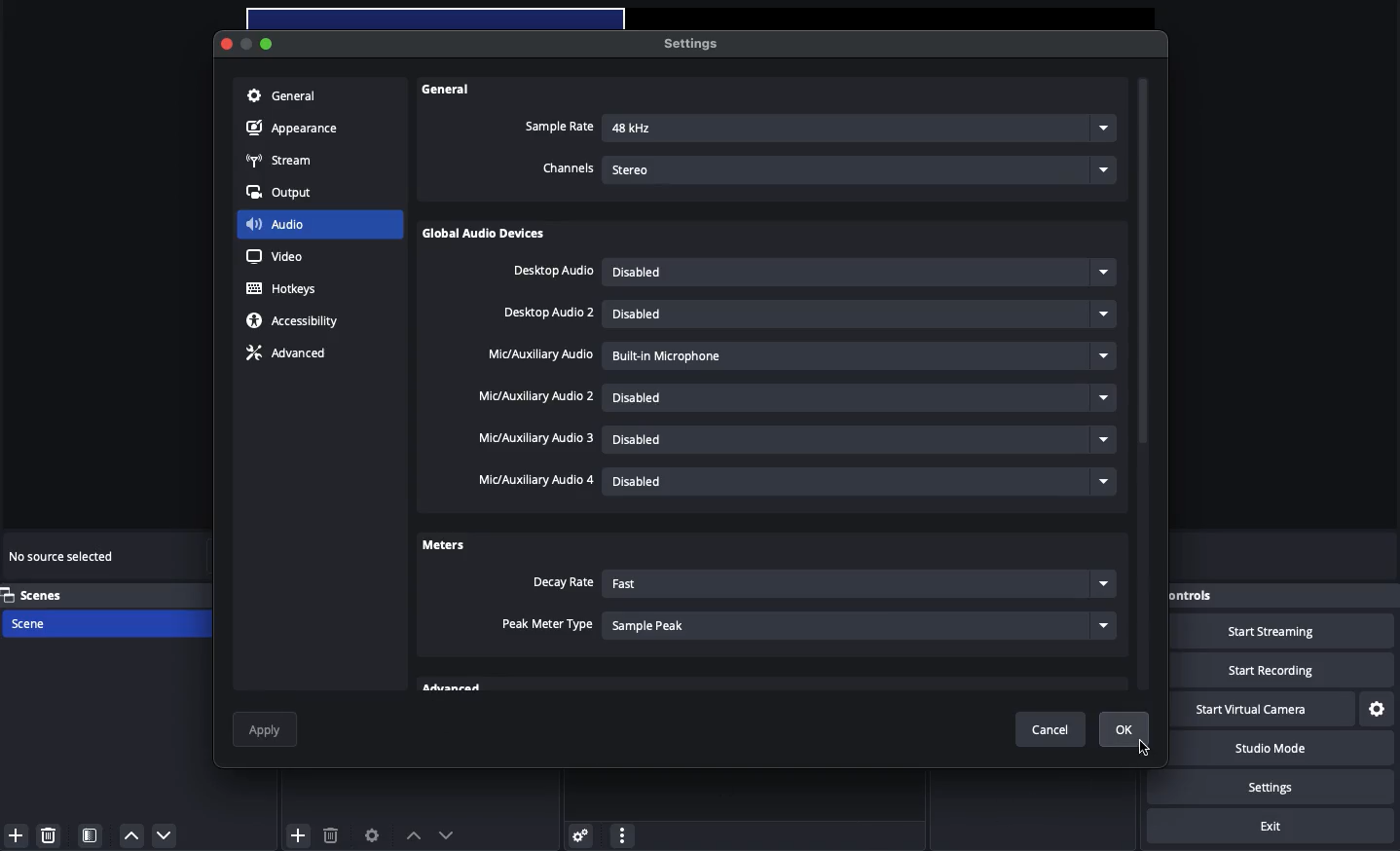 The height and width of the screenshot is (851, 1400). What do you see at coordinates (330, 834) in the screenshot?
I see `Delete` at bounding box center [330, 834].